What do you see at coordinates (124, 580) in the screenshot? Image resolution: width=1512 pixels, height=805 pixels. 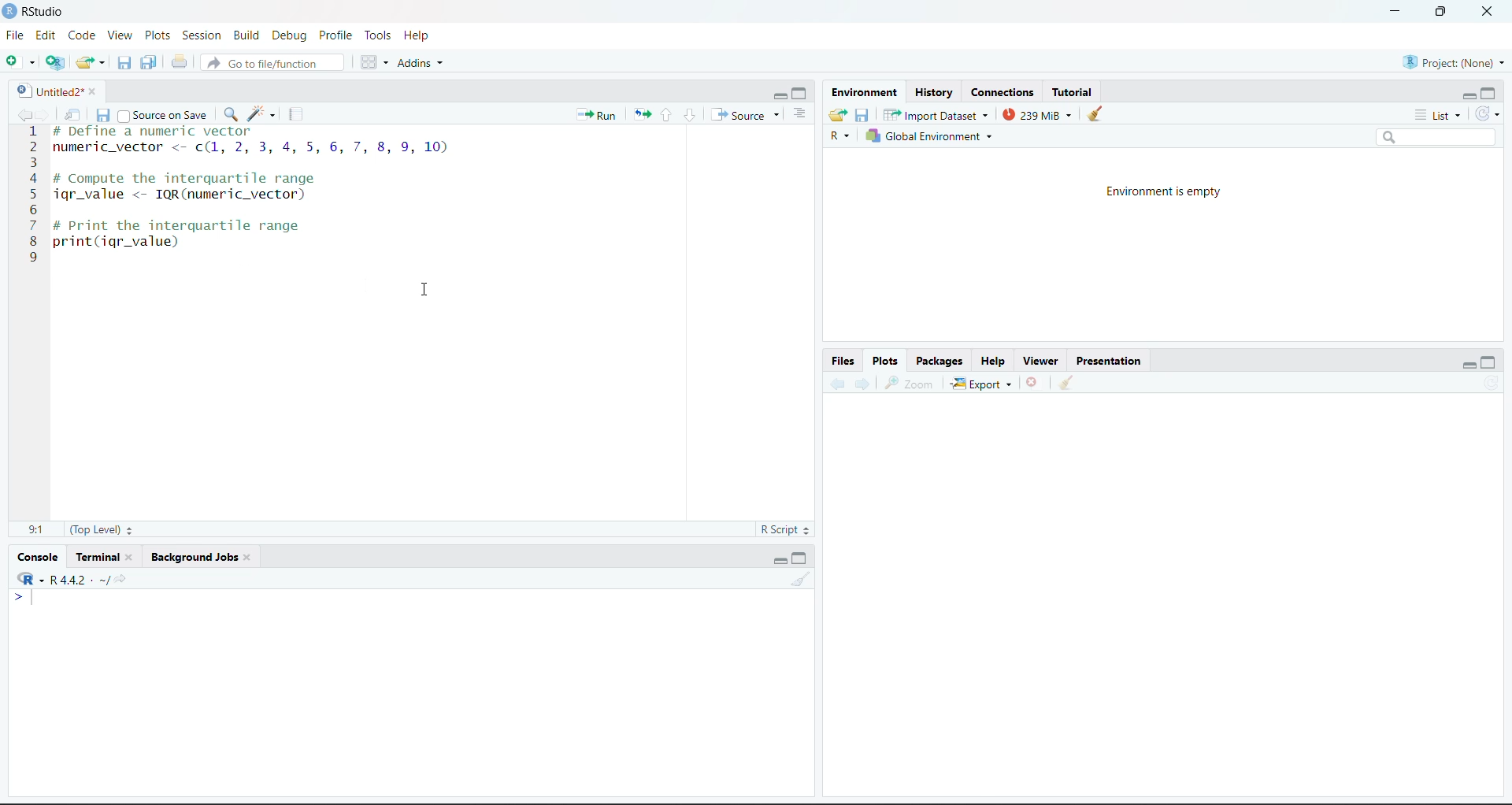 I see `View the current working directory` at bounding box center [124, 580].